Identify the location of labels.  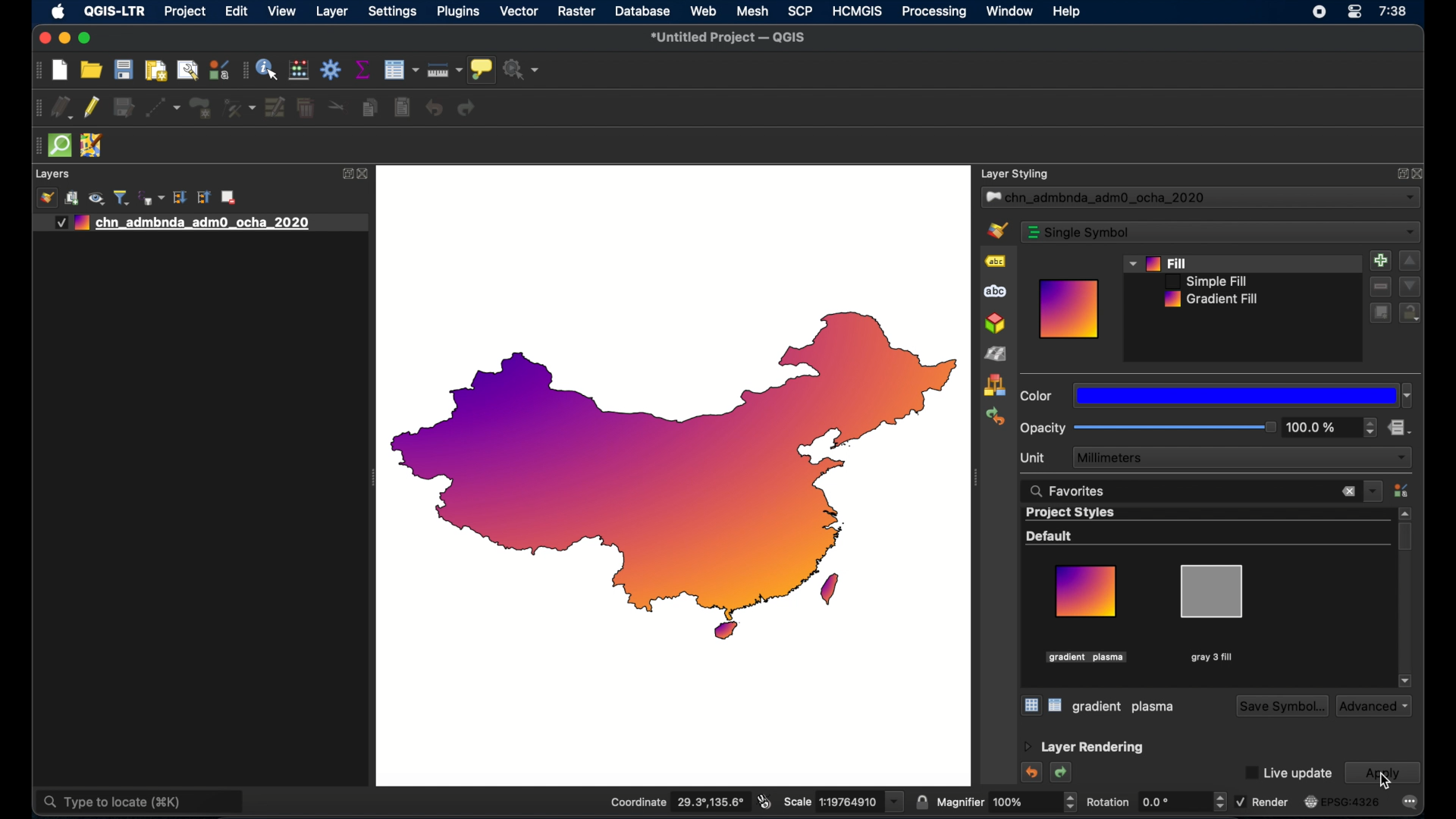
(996, 261).